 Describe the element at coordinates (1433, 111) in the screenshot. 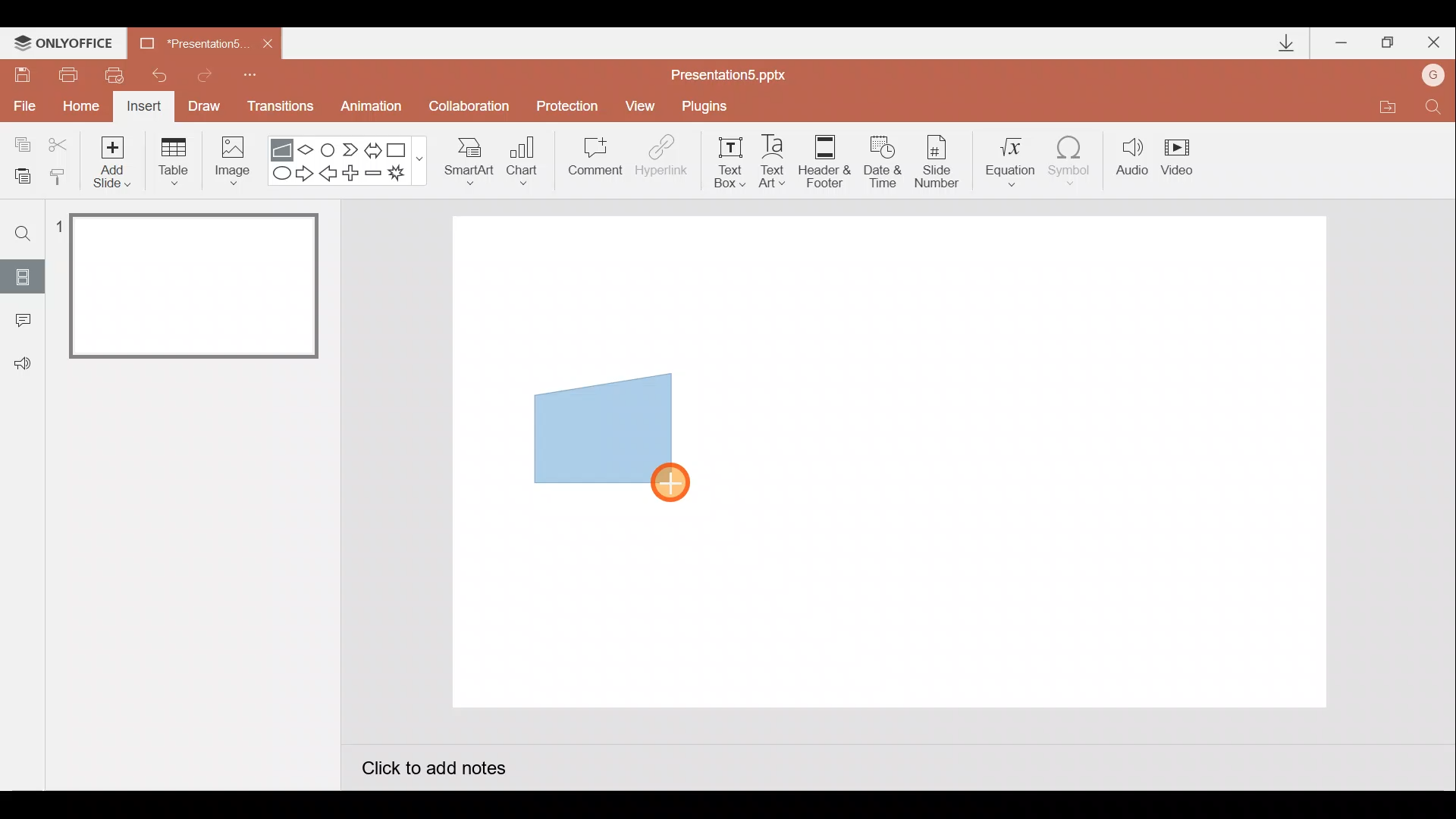

I see `Find` at that location.